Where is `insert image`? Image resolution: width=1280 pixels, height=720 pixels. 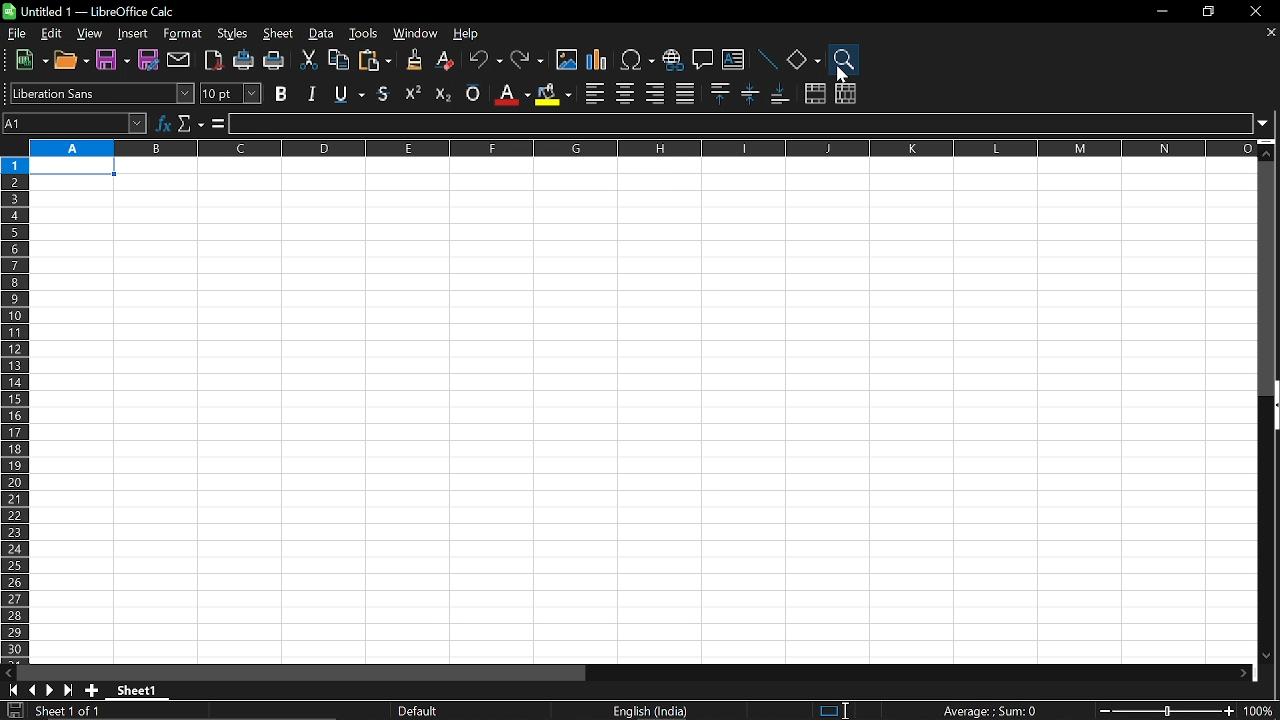 insert image is located at coordinates (567, 60).